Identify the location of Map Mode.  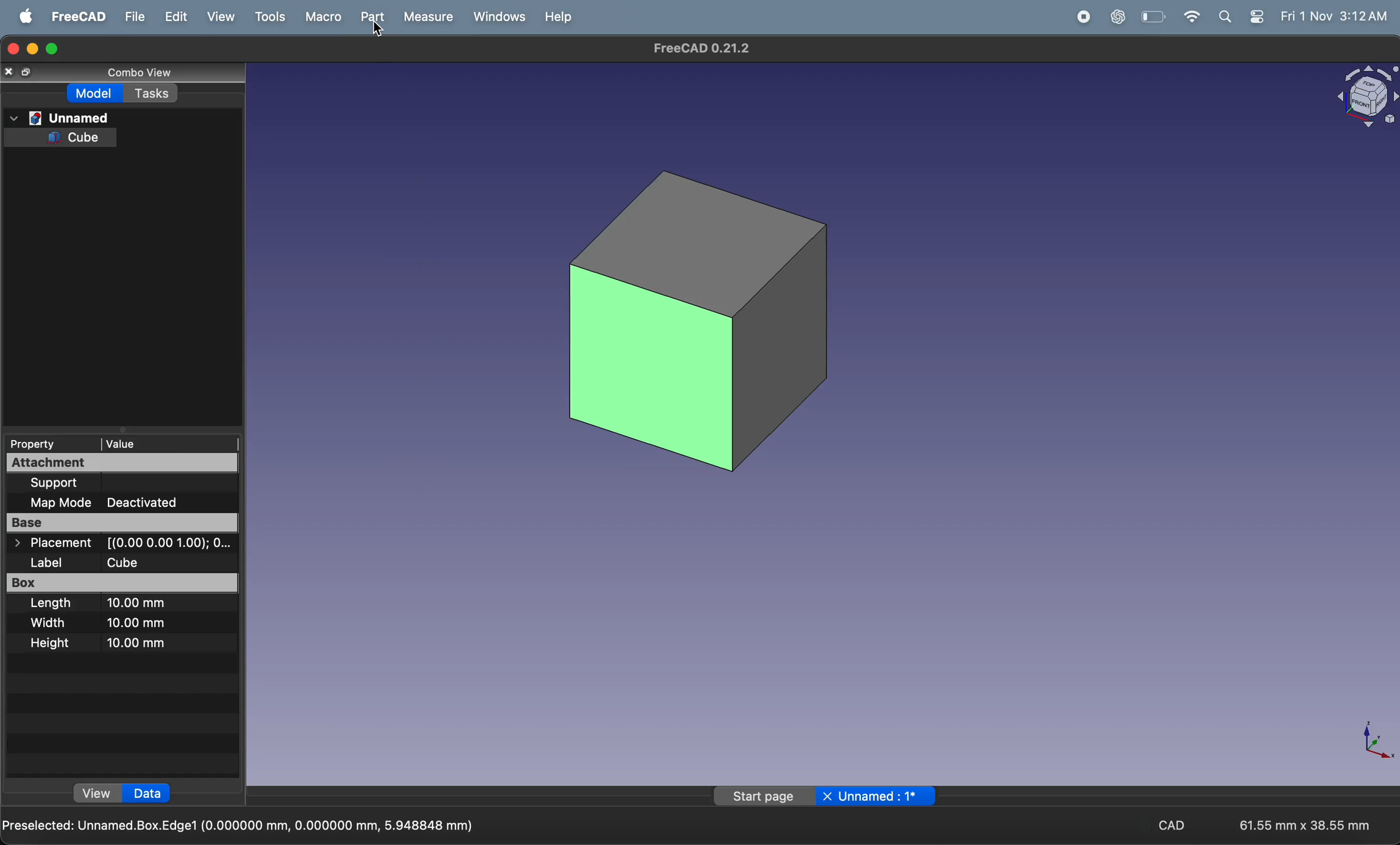
(53, 502).